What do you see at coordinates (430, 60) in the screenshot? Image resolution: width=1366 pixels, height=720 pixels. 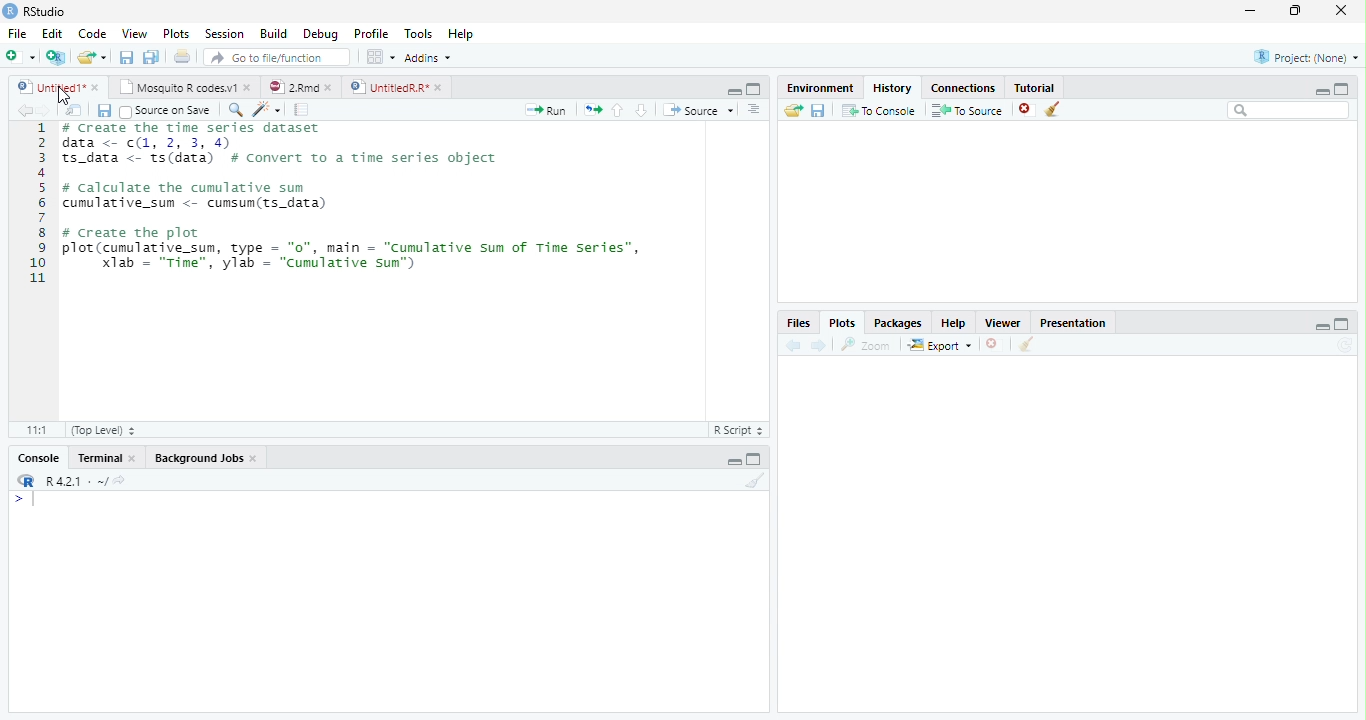 I see `Addins` at bounding box center [430, 60].